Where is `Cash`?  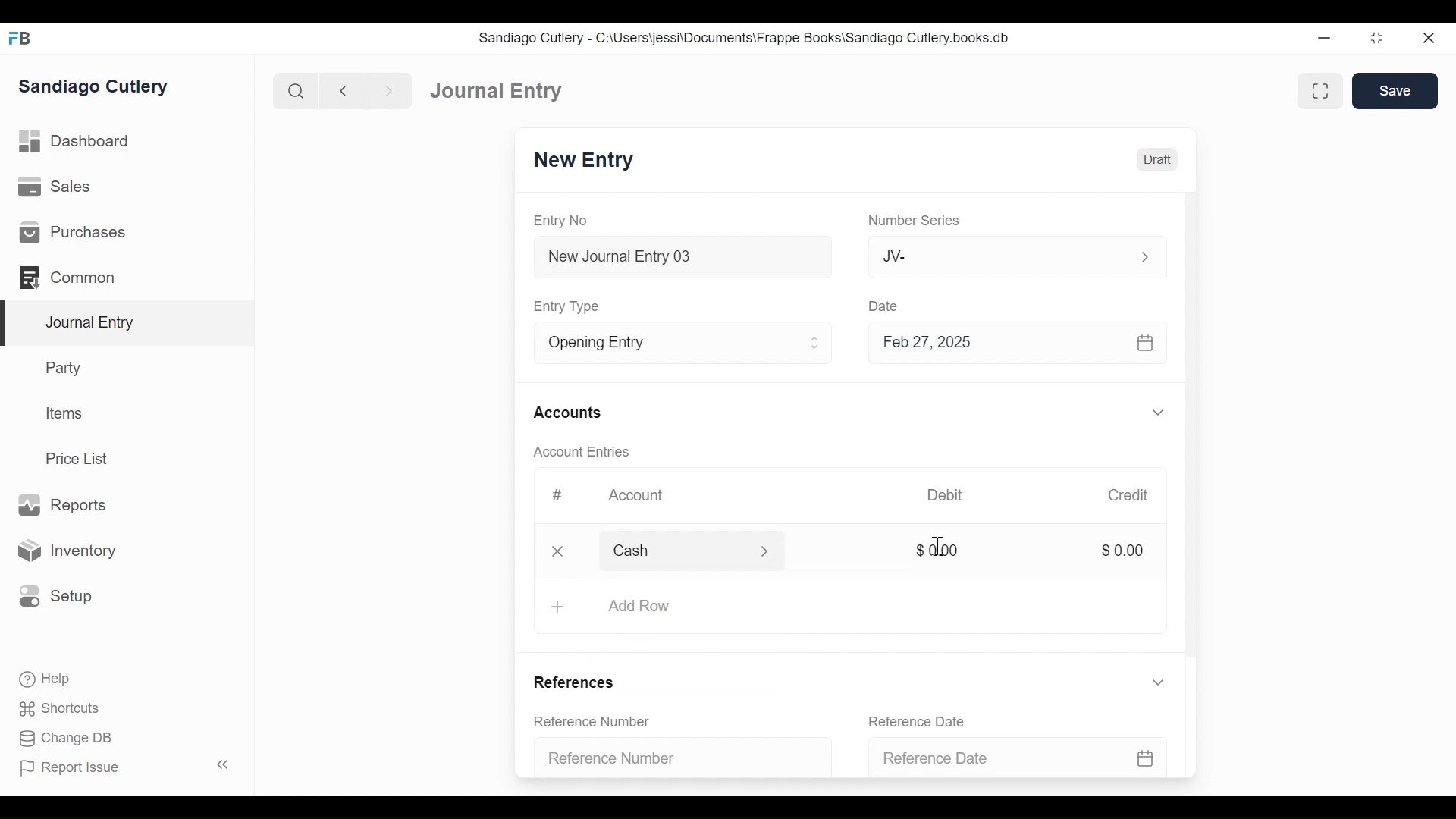
Cash is located at coordinates (673, 550).